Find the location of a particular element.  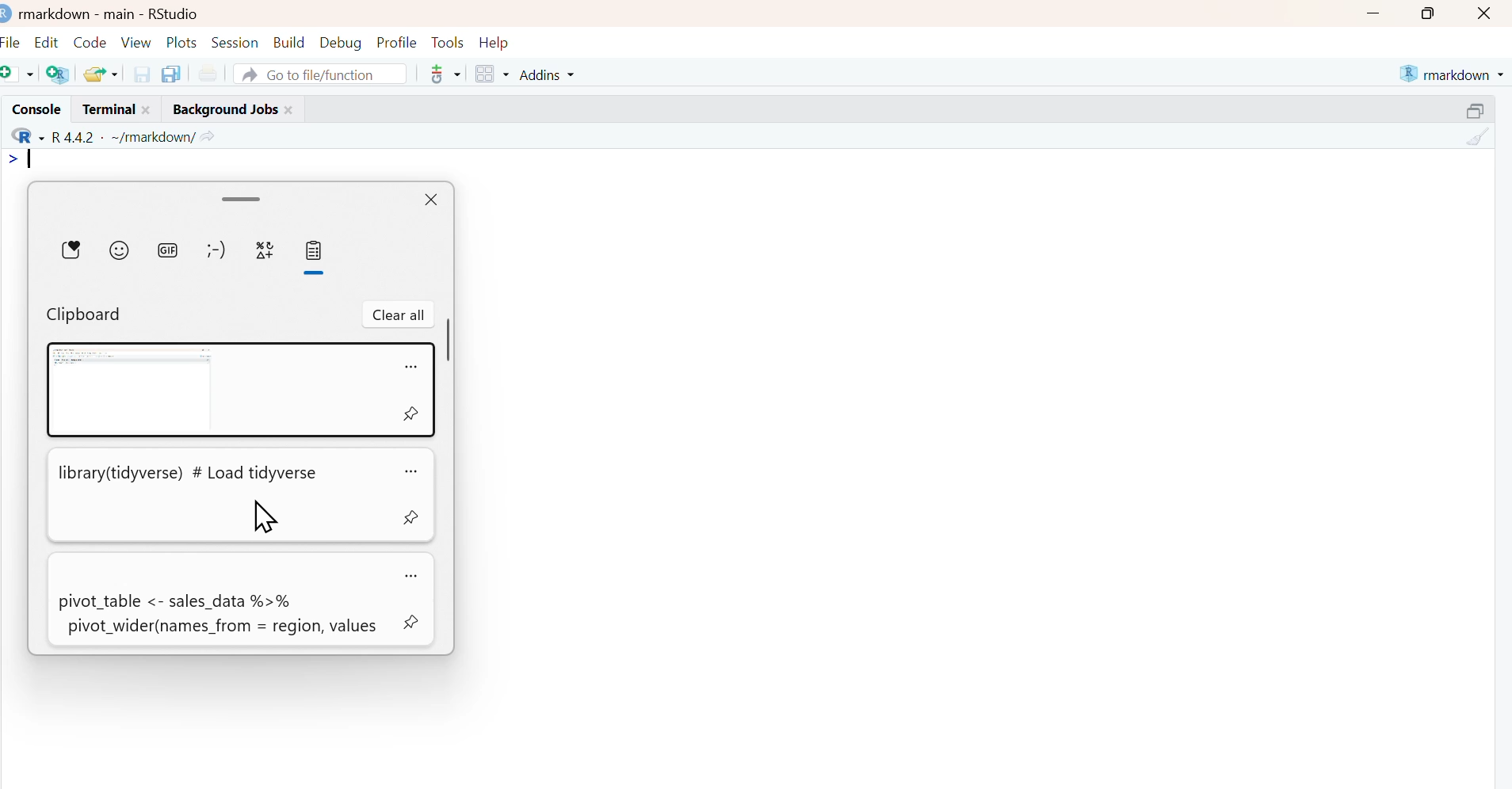

resize is located at coordinates (1480, 108).